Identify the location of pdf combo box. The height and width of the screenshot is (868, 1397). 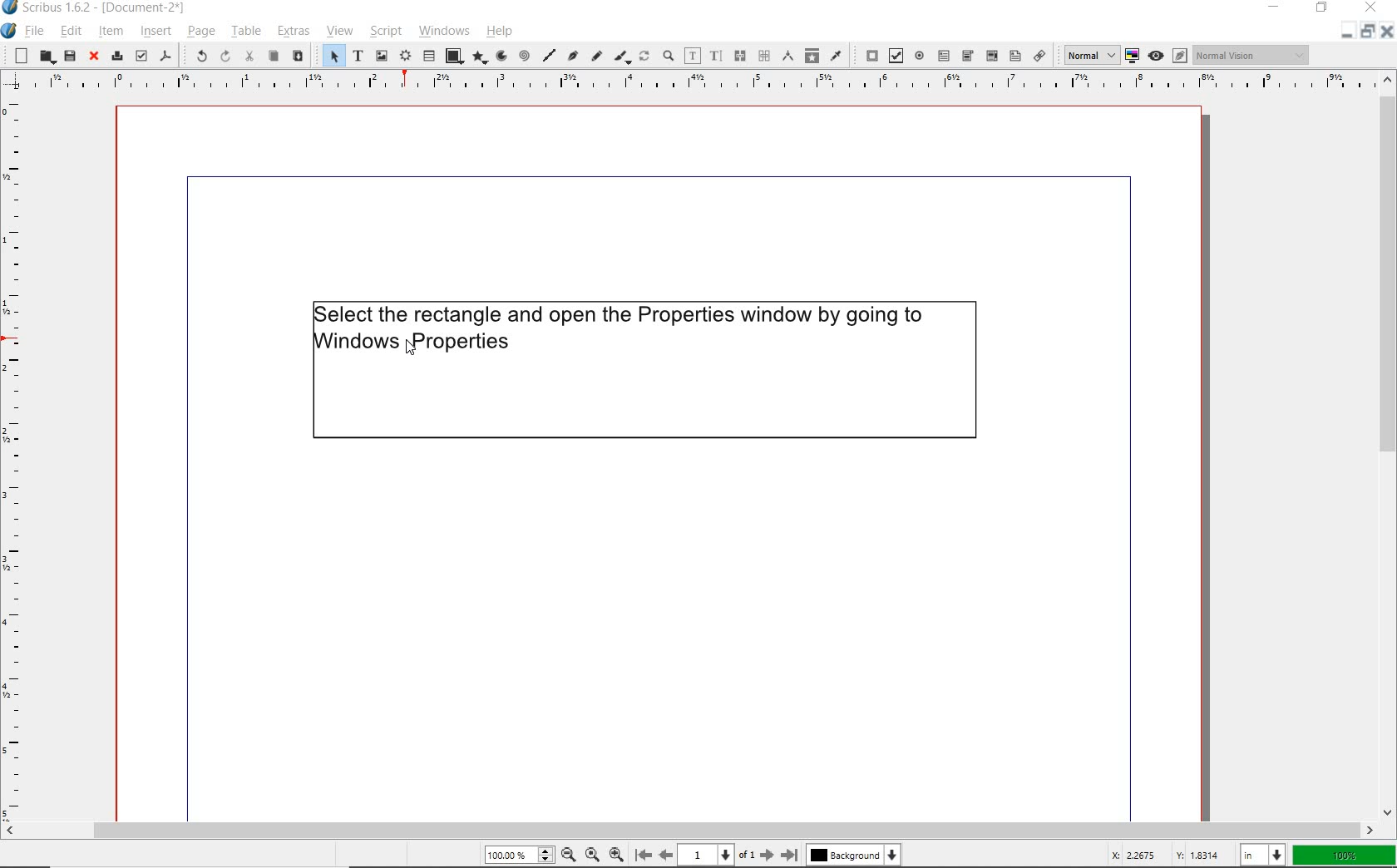
(968, 55).